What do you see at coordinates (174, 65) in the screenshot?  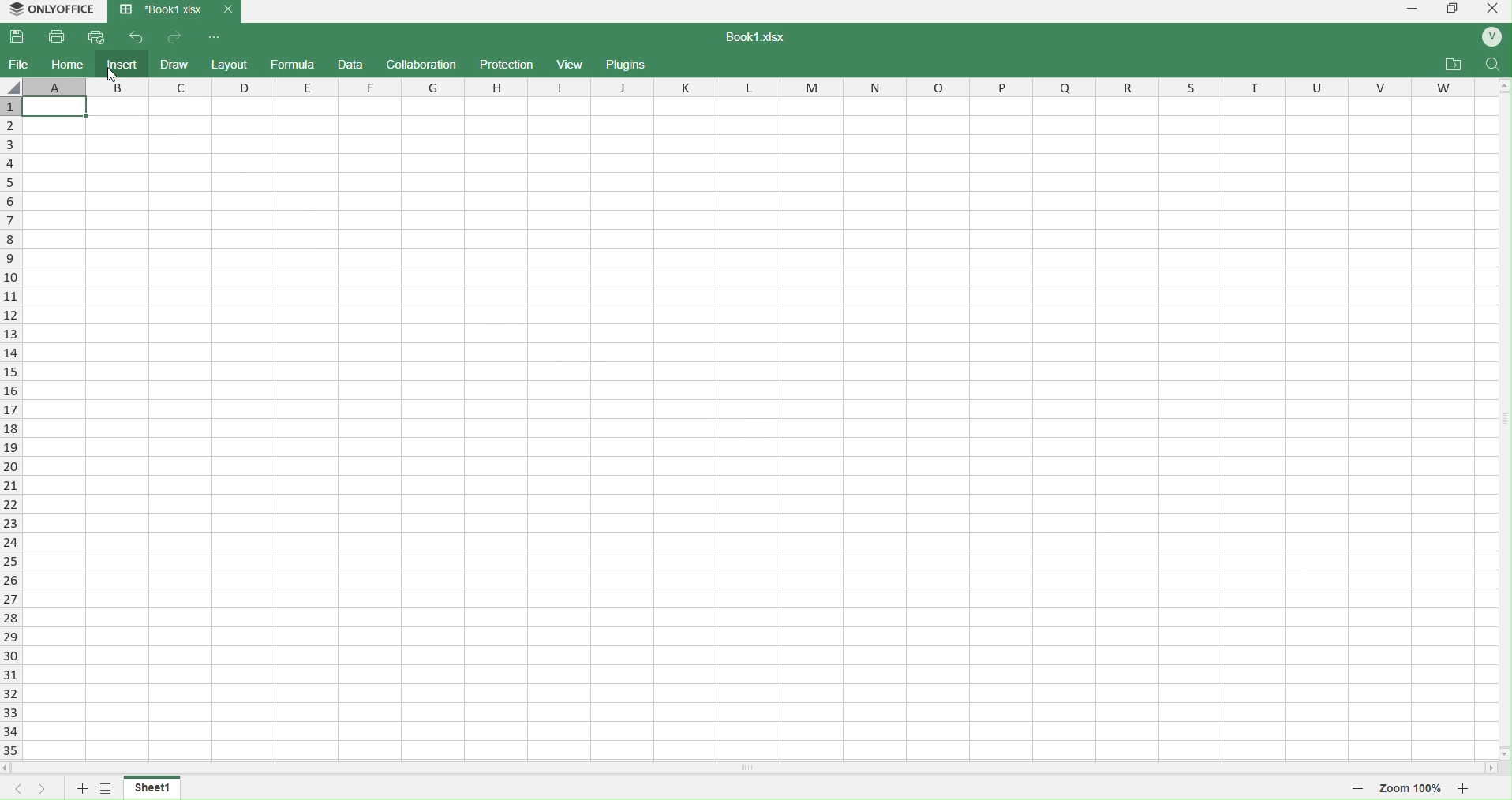 I see `draw` at bounding box center [174, 65].